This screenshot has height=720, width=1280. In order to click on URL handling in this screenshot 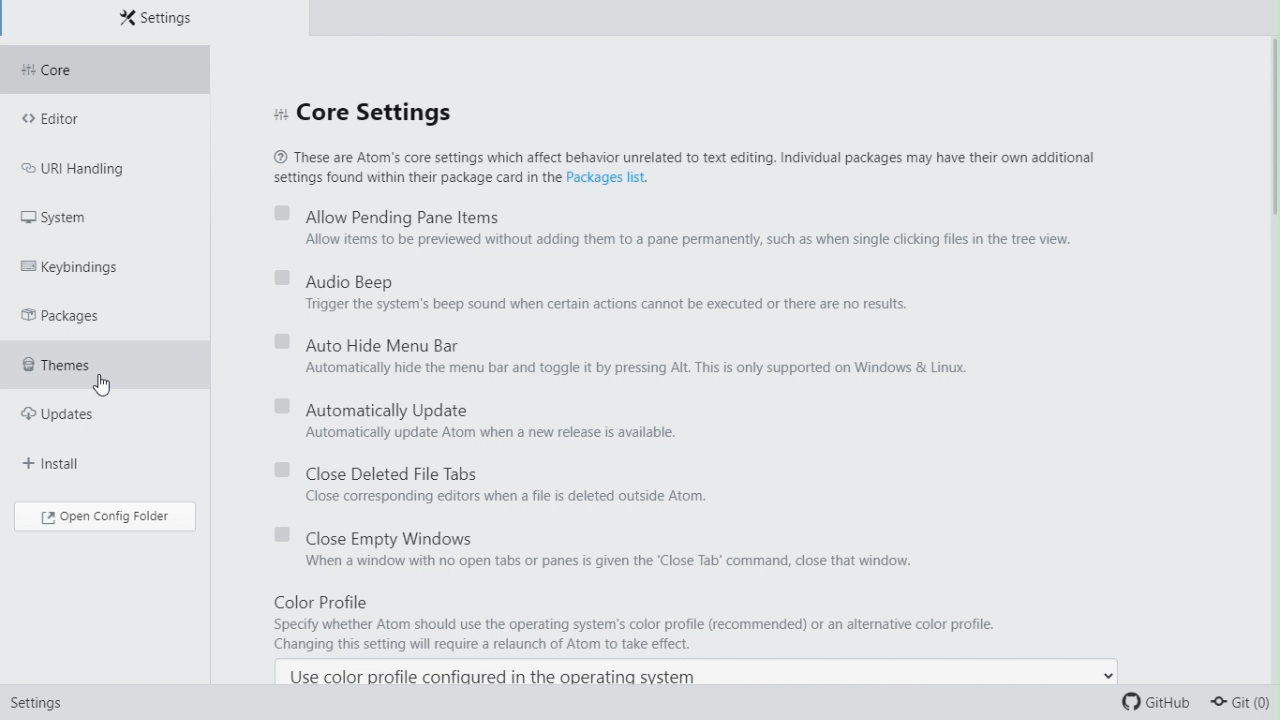, I will do `click(87, 164)`.